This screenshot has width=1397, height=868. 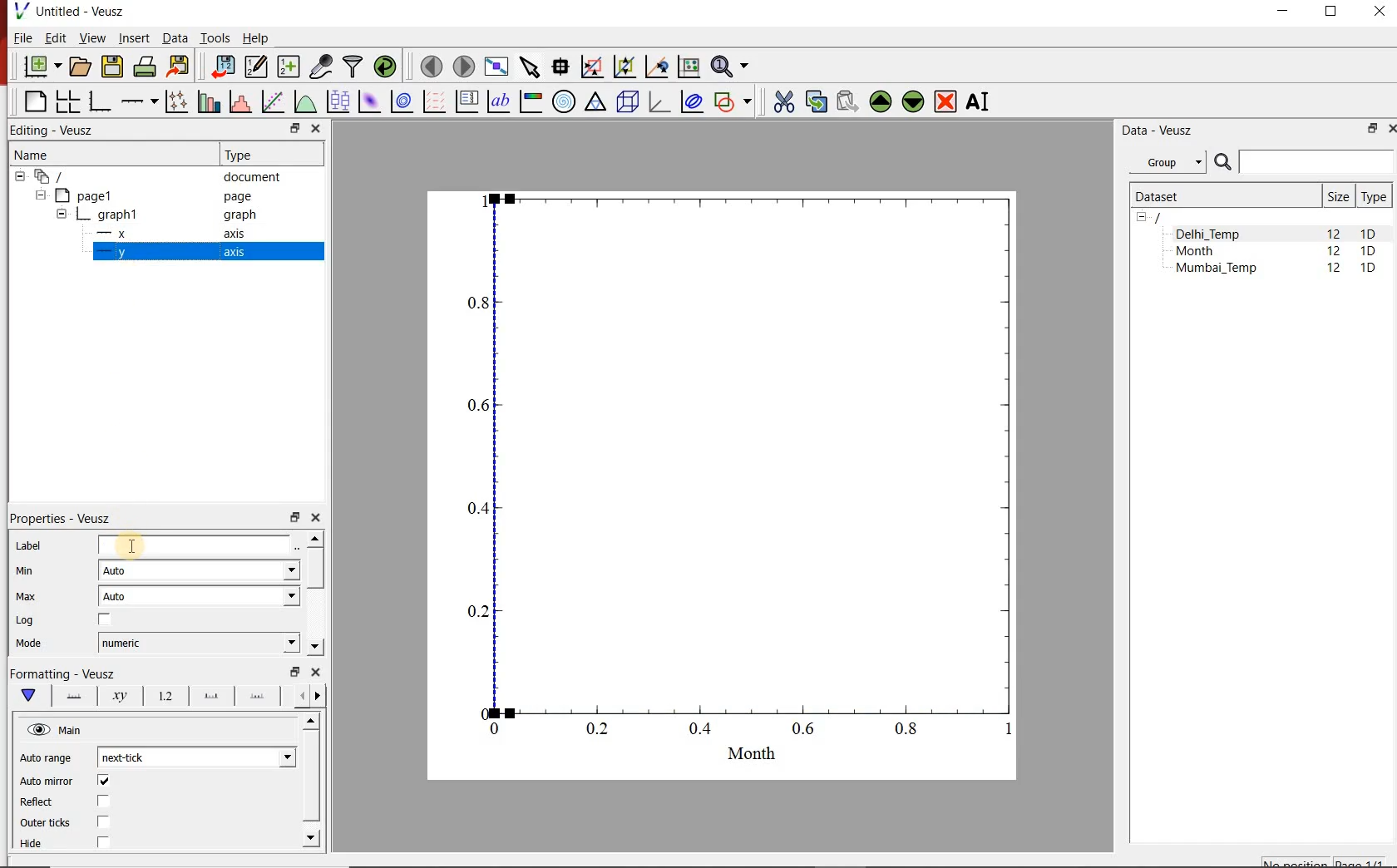 What do you see at coordinates (1333, 233) in the screenshot?
I see `12` at bounding box center [1333, 233].